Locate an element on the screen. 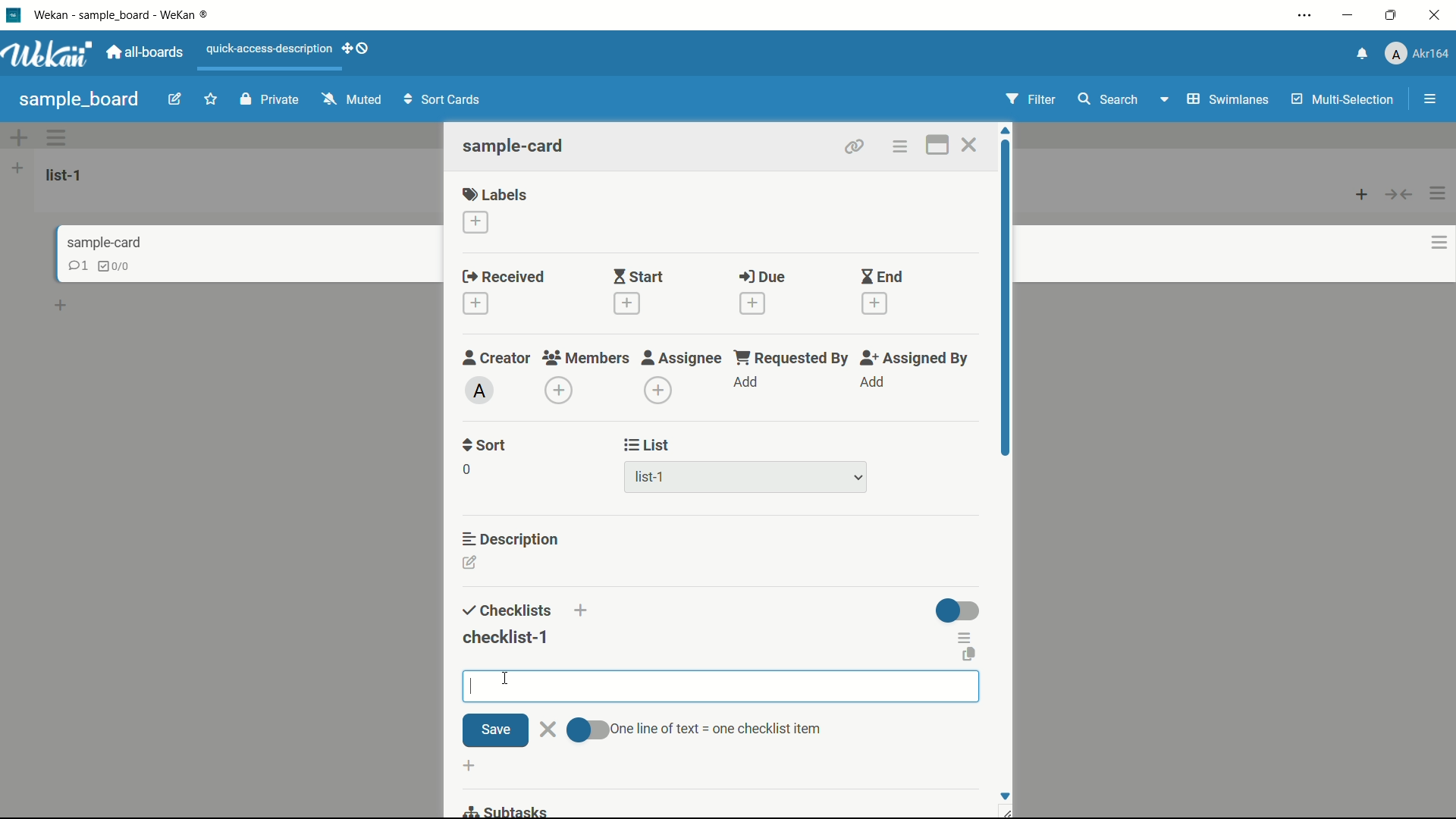  add date is located at coordinates (752, 304).